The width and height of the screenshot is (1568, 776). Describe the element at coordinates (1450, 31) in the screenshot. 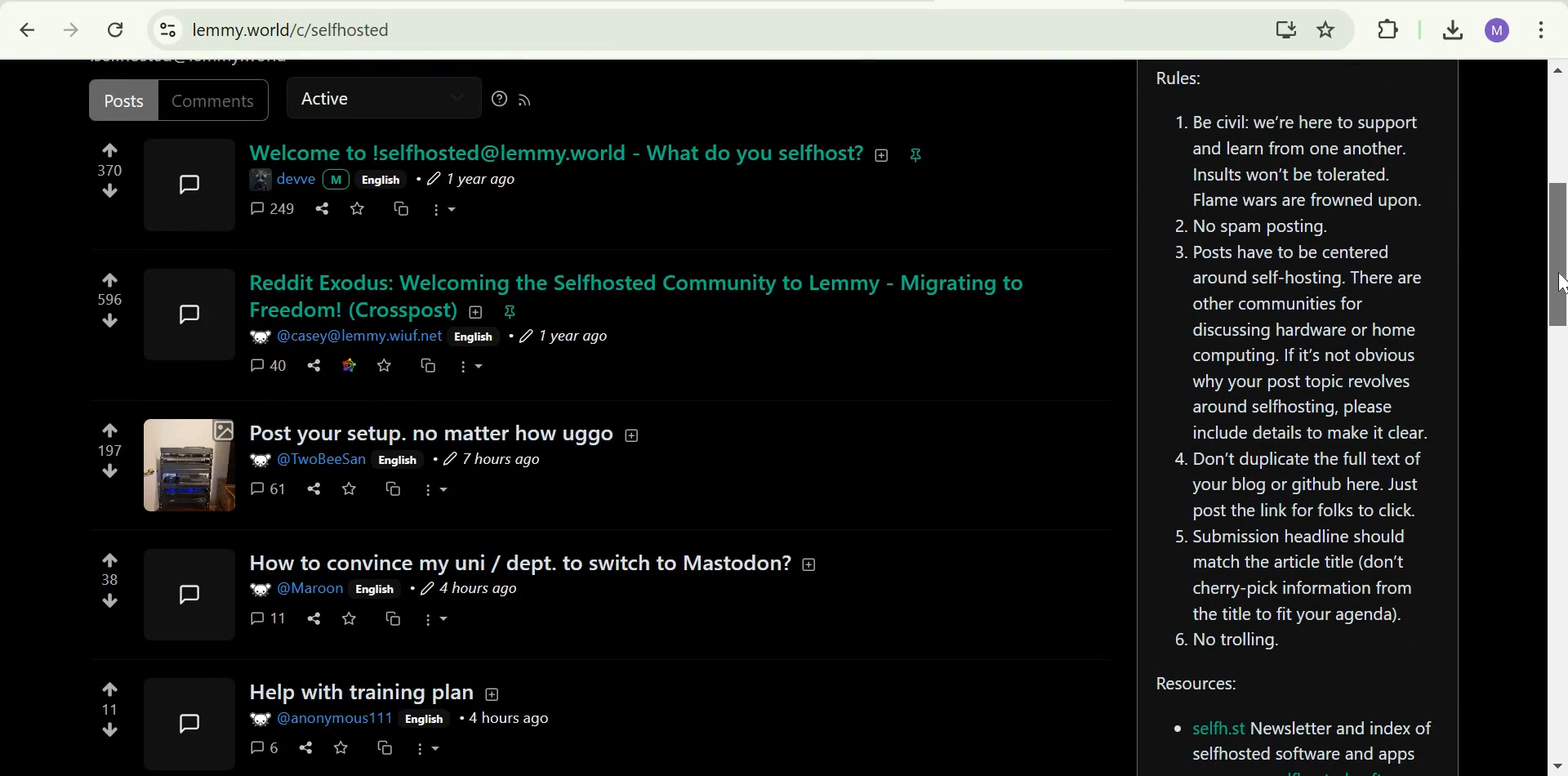

I see `downloads` at that location.